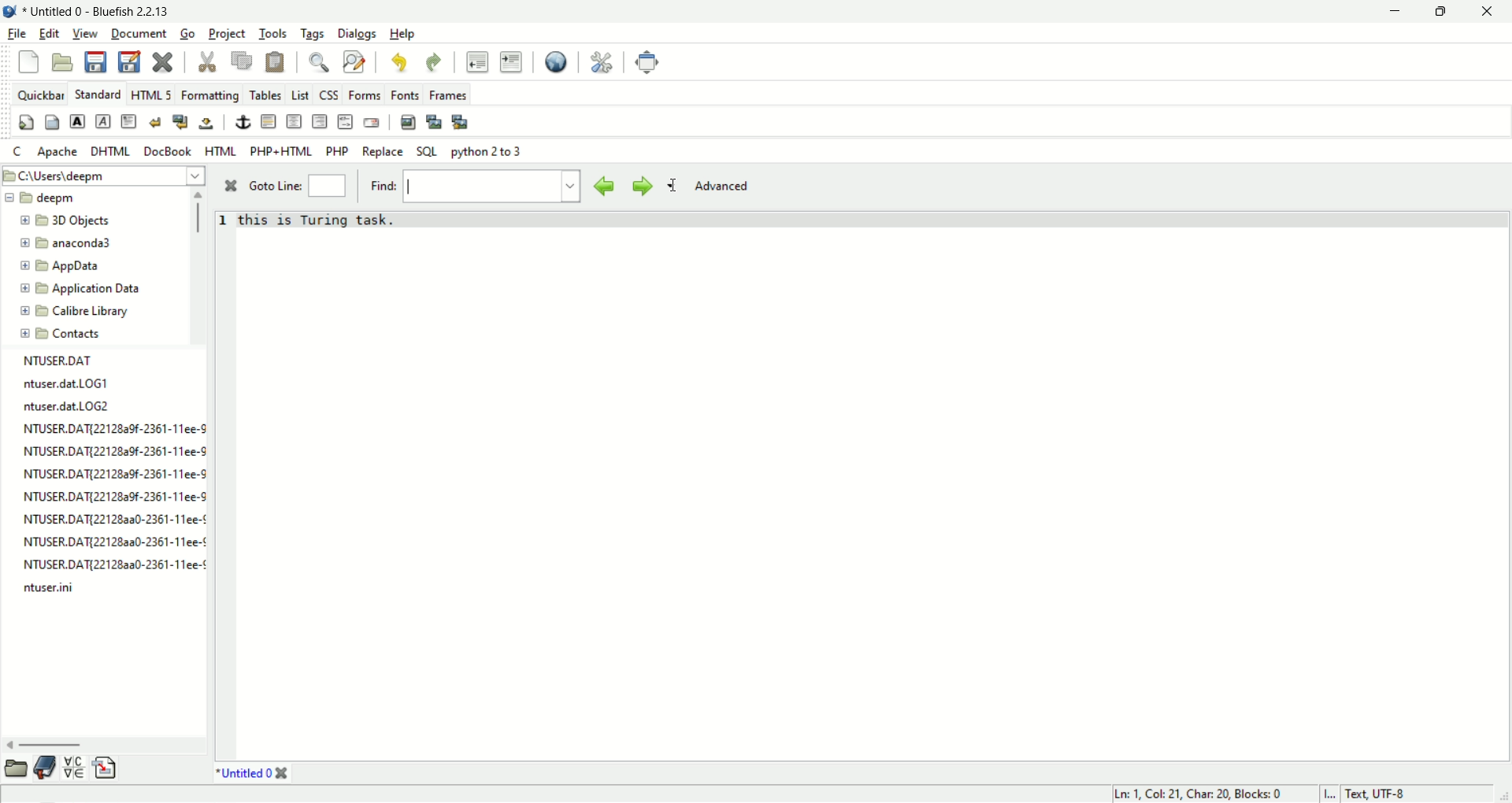  Describe the element at coordinates (1494, 12) in the screenshot. I see `close` at that location.